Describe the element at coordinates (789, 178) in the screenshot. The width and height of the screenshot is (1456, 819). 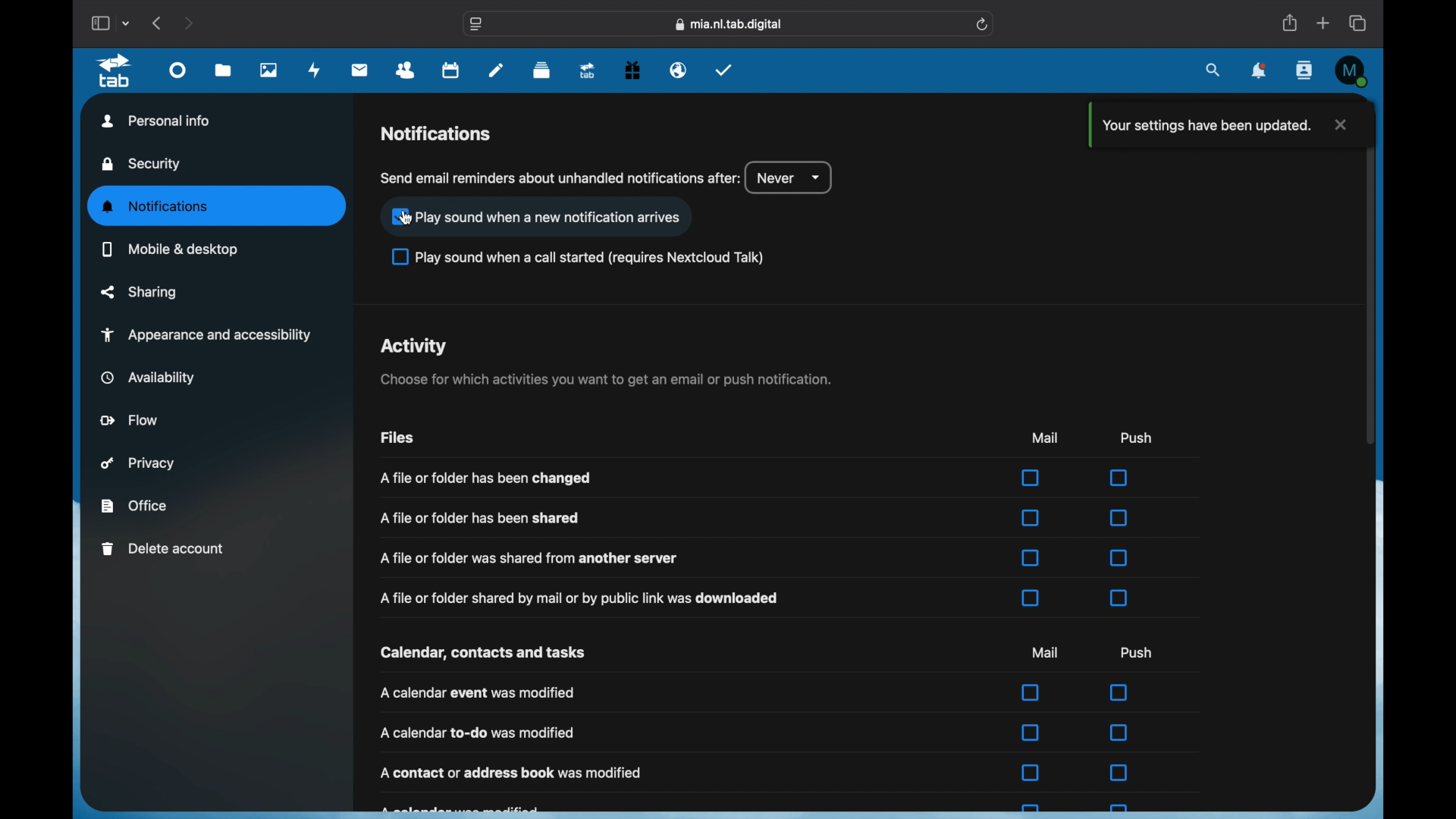
I see `never dropdown` at that location.